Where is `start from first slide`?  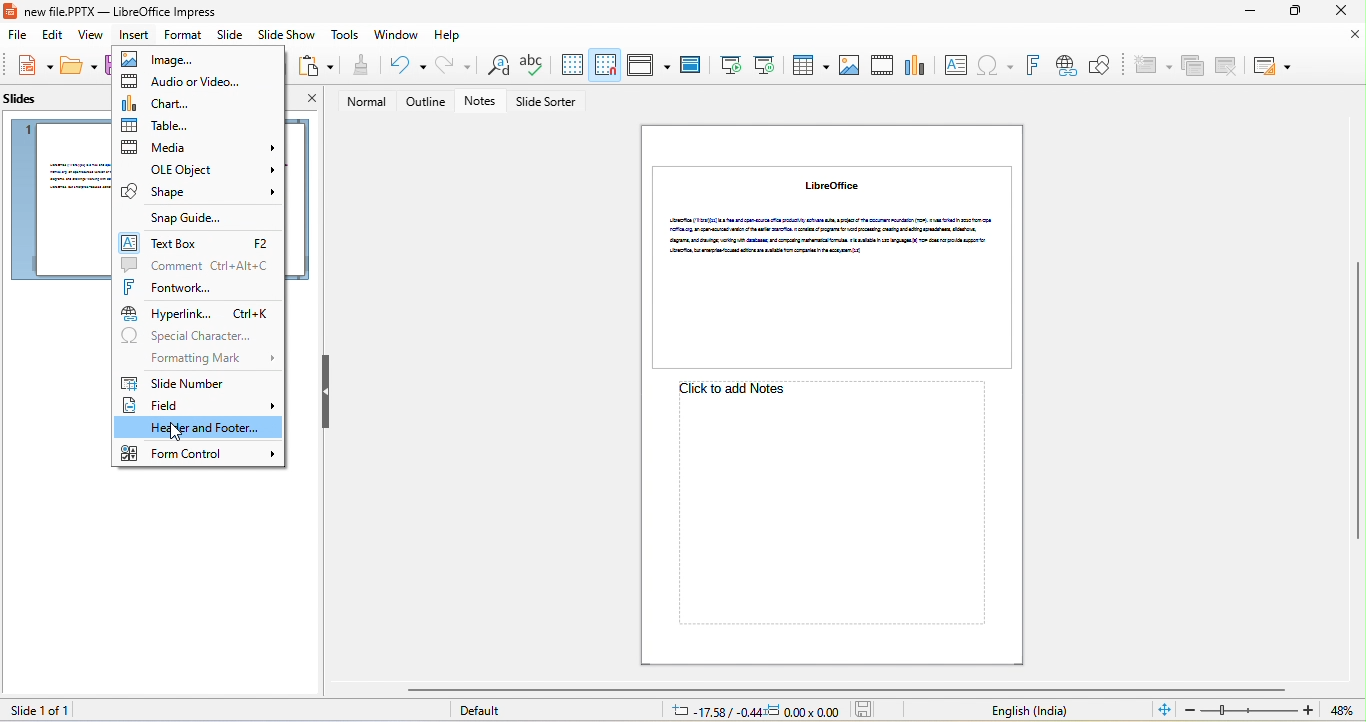 start from first slide is located at coordinates (729, 65).